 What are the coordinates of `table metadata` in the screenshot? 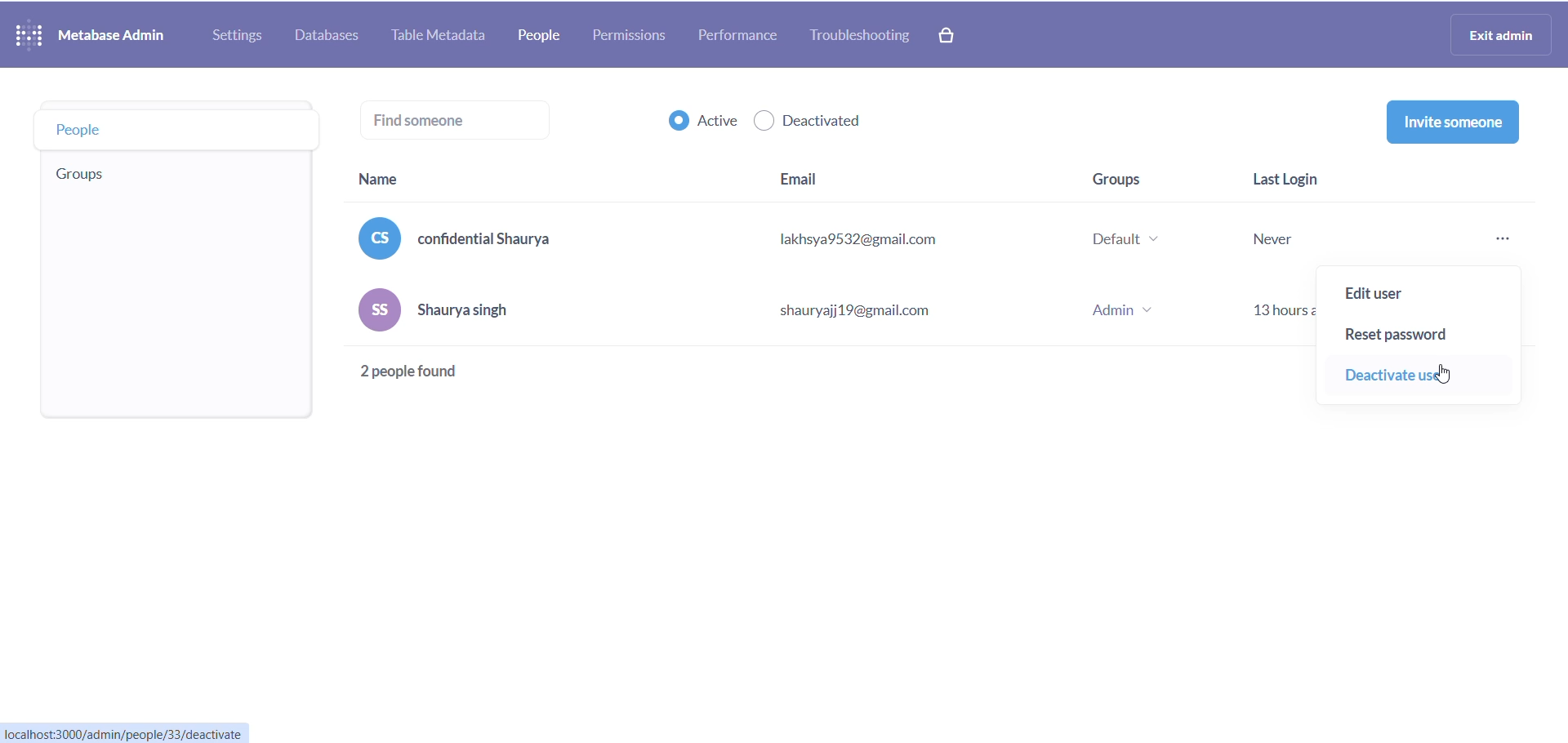 It's located at (439, 34).